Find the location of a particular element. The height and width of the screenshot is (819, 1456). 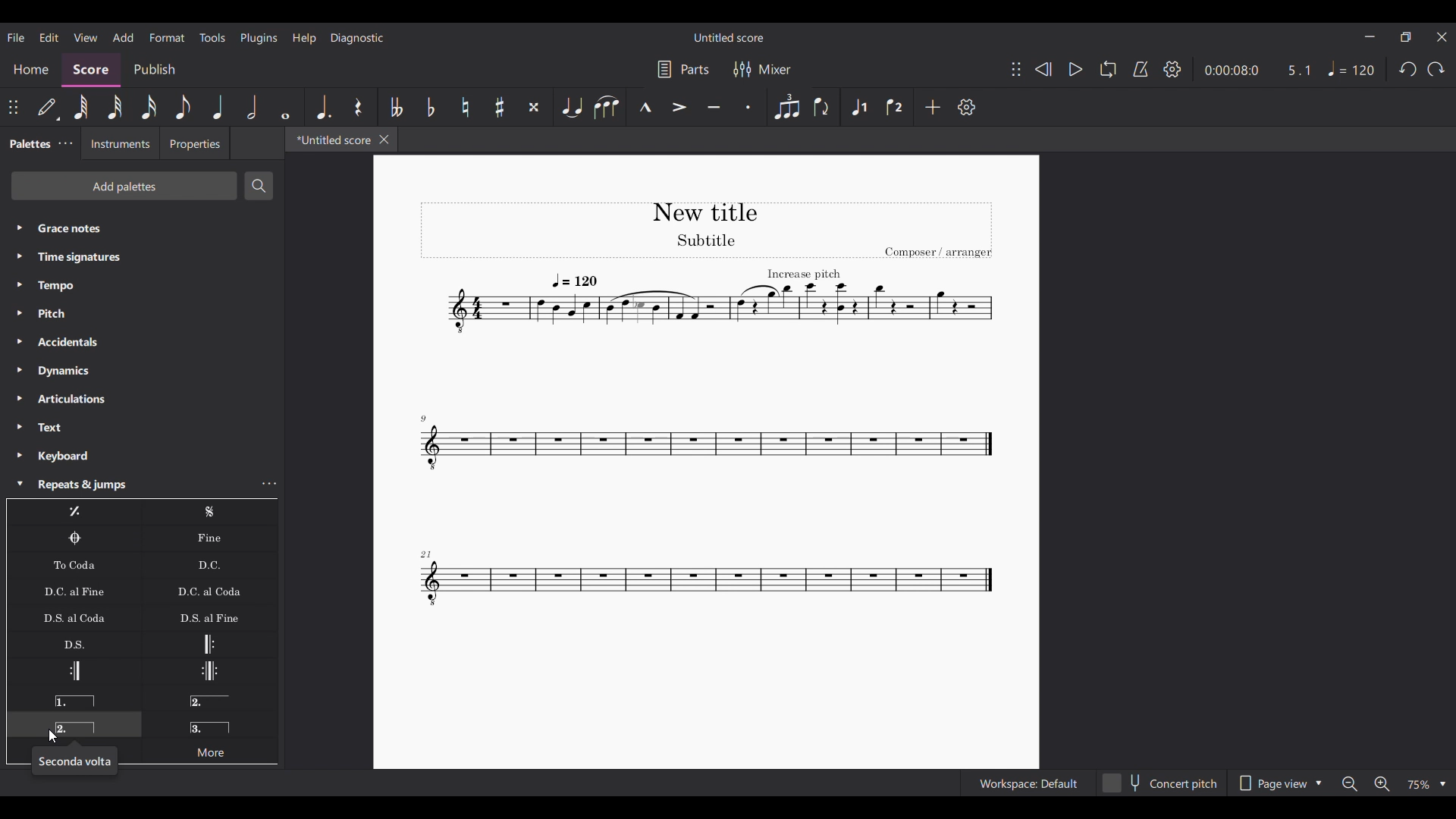

Add menu is located at coordinates (124, 37).